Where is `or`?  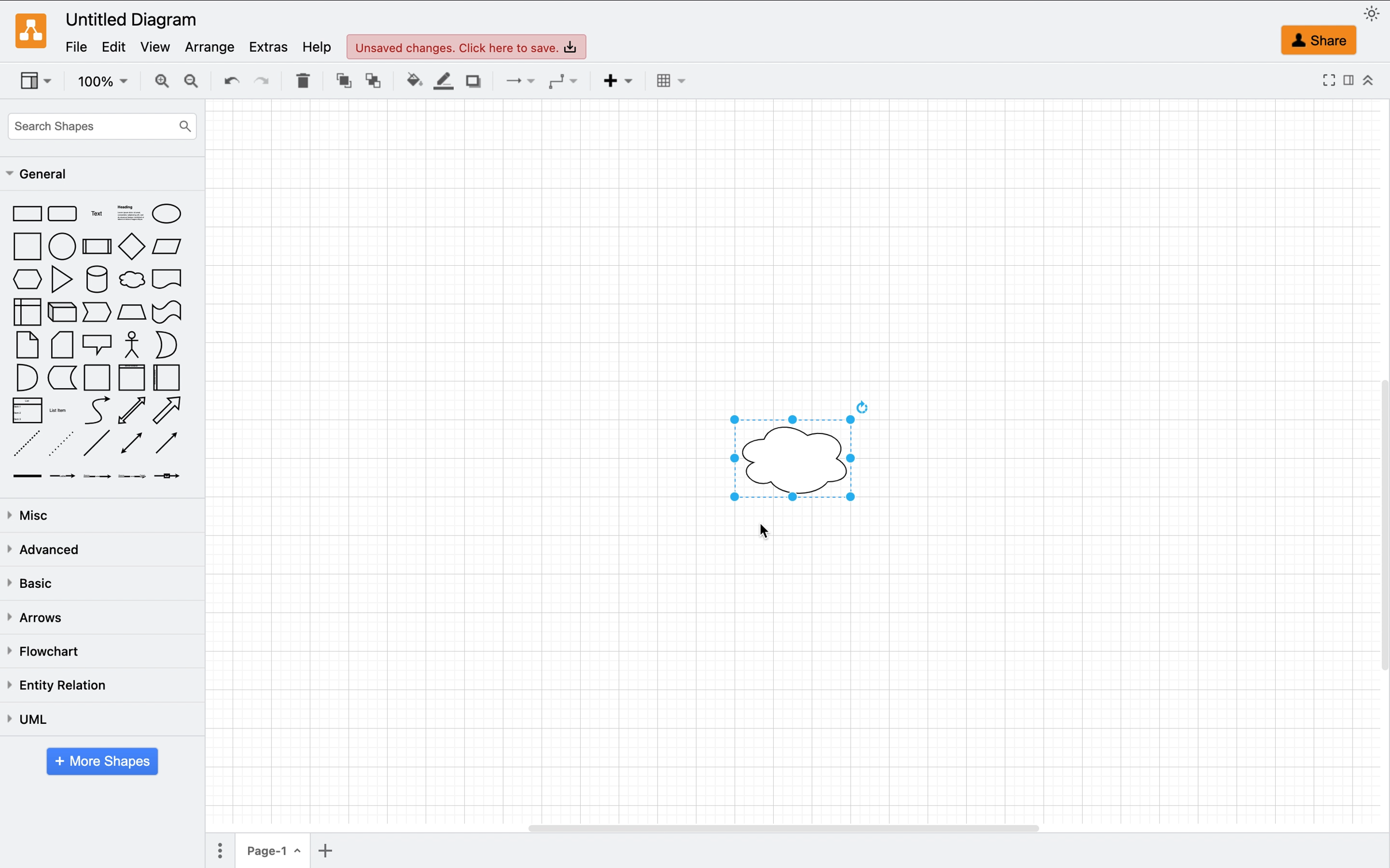 or is located at coordinates (175, 343).